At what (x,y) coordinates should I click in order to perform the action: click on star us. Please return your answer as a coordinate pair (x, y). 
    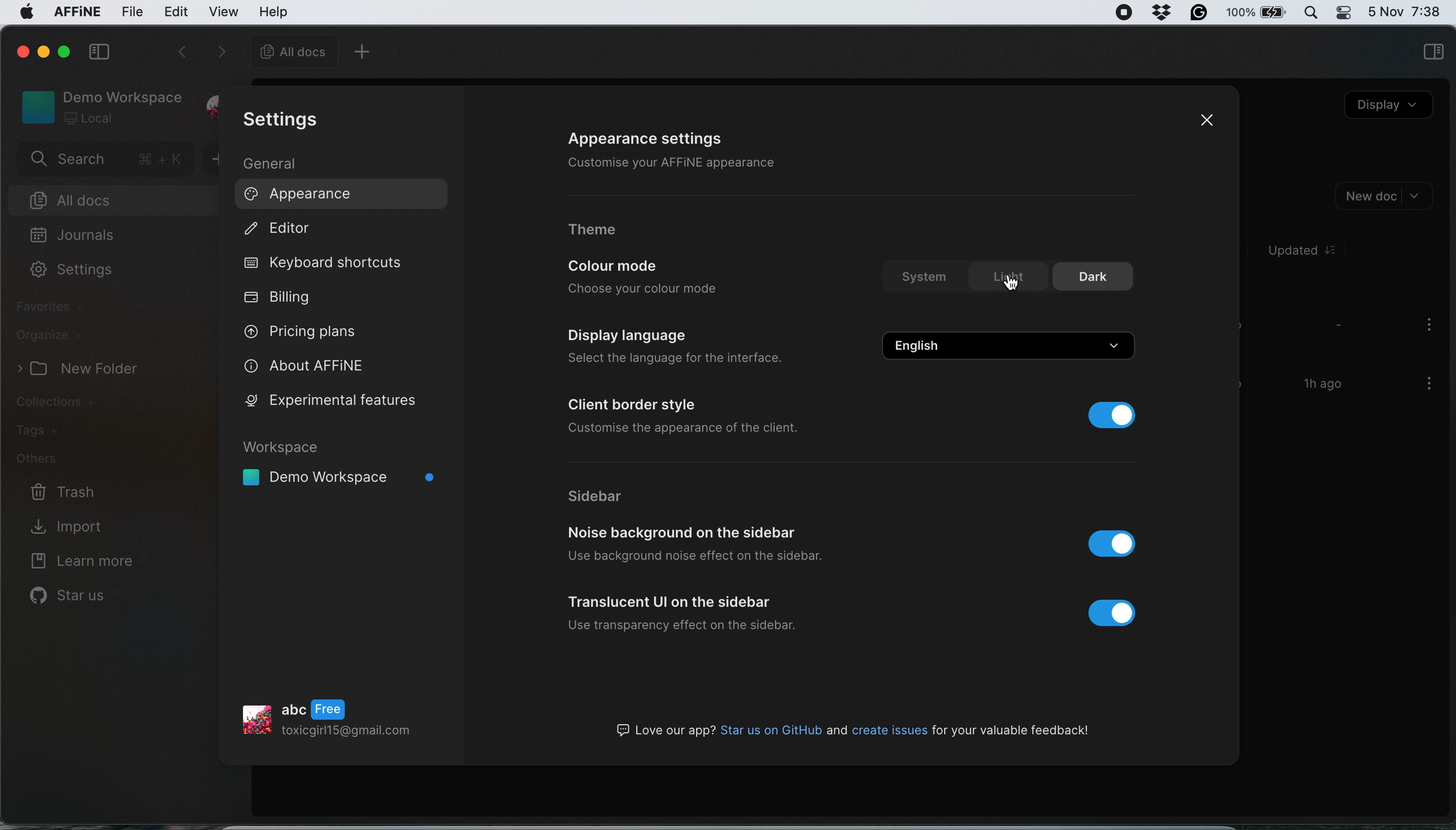
    Looking at the image, I should click on (70, 599).